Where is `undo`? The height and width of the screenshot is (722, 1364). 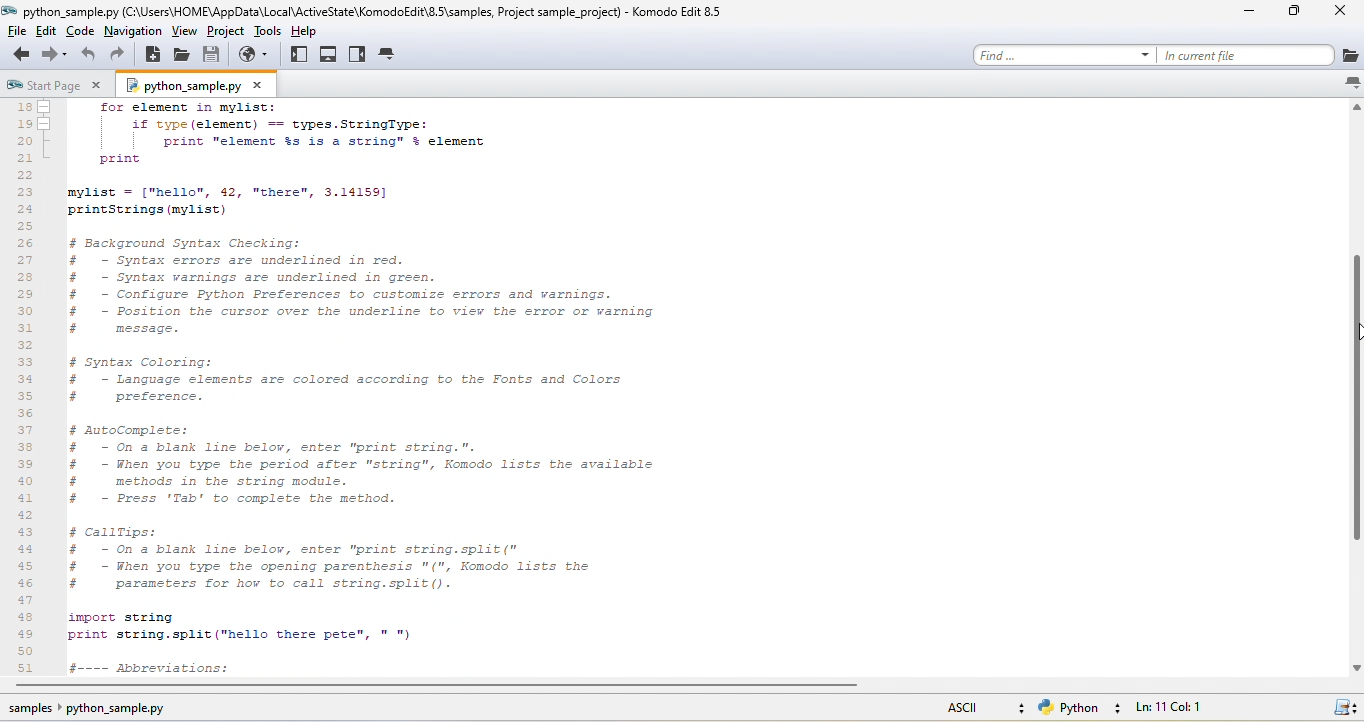
undo is located at coordinates (89, 55).